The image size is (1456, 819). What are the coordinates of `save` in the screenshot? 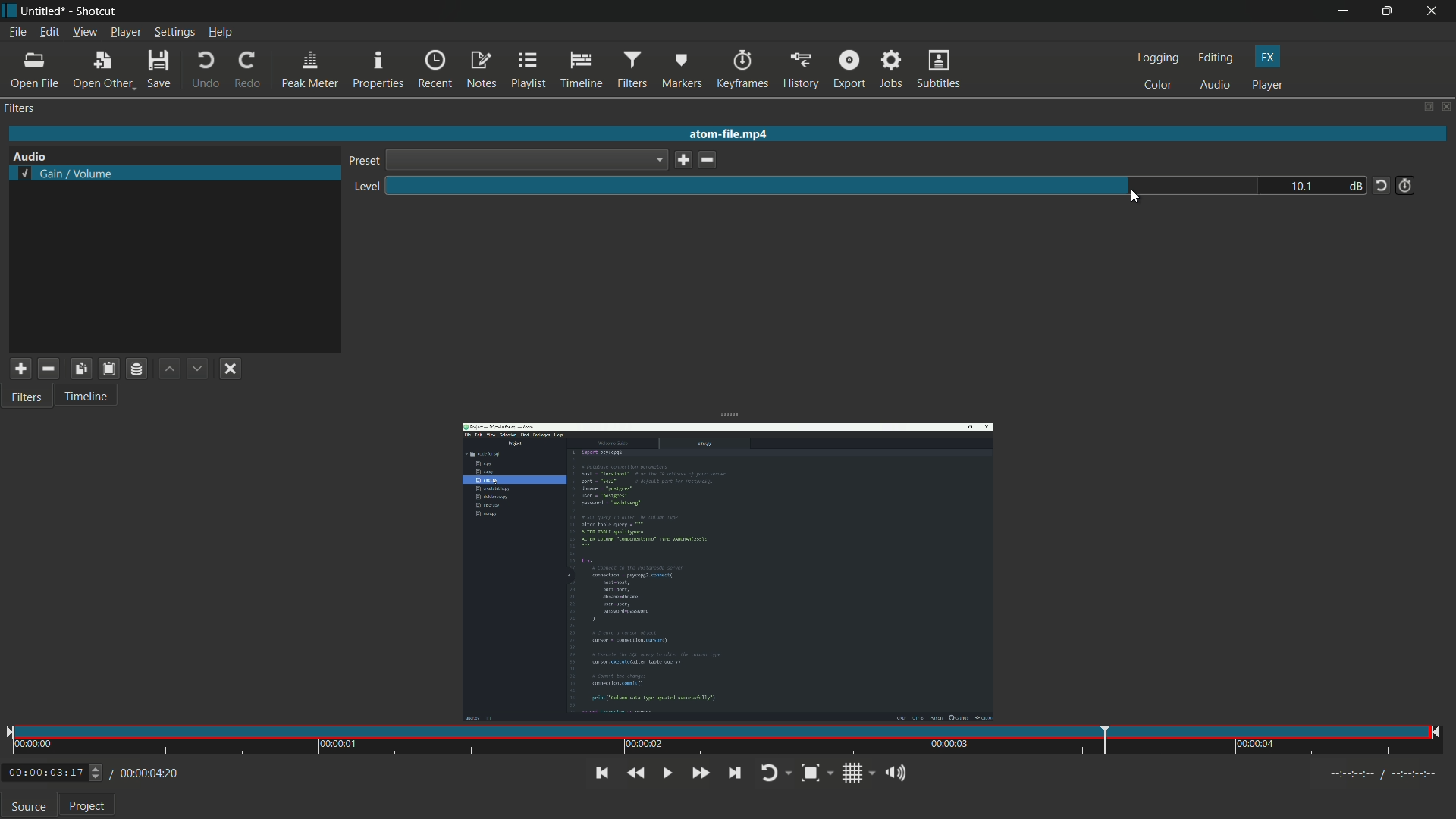 It's located at (158, 71).